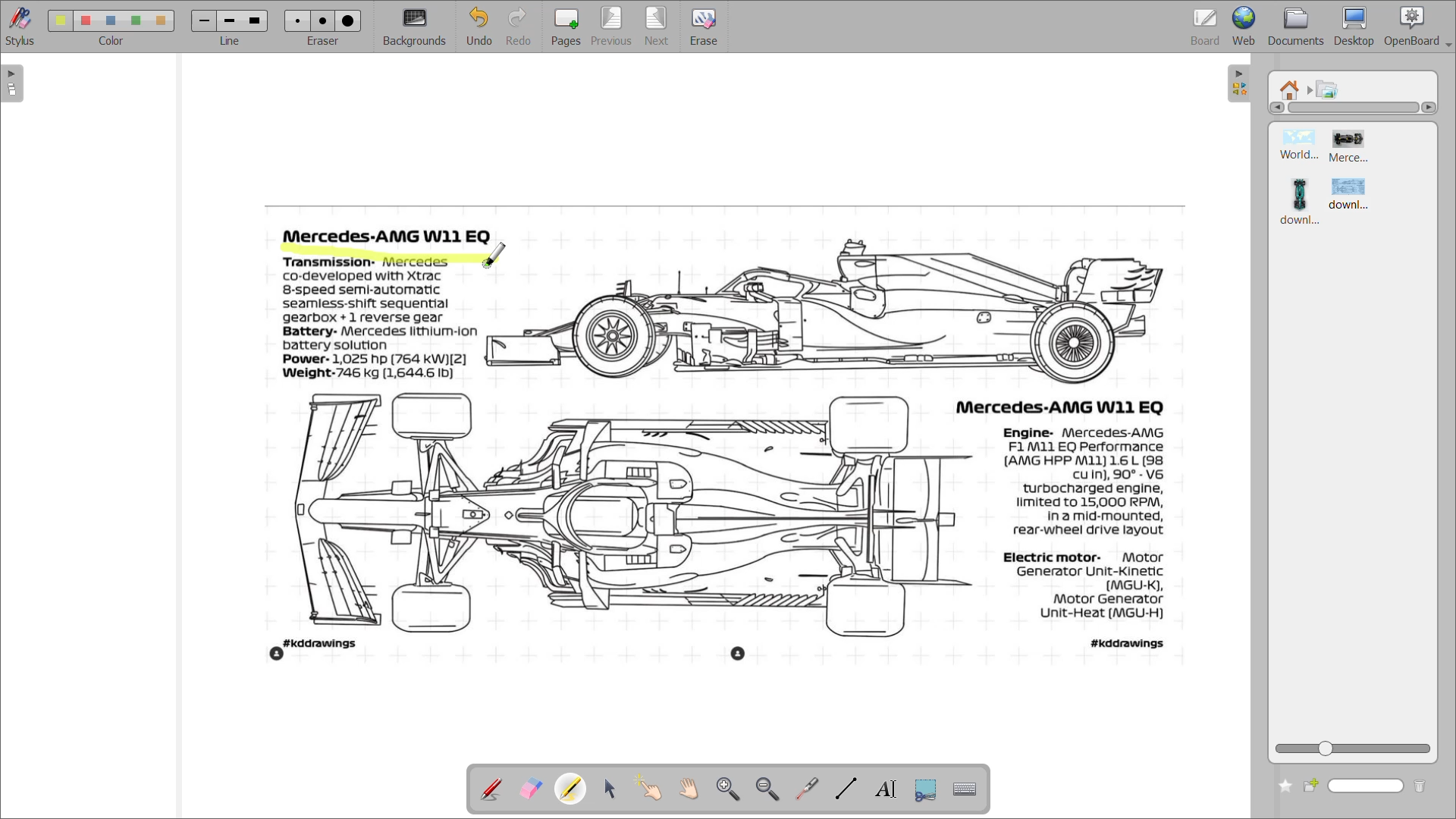  I want to click on name box, so click(1369, 786).